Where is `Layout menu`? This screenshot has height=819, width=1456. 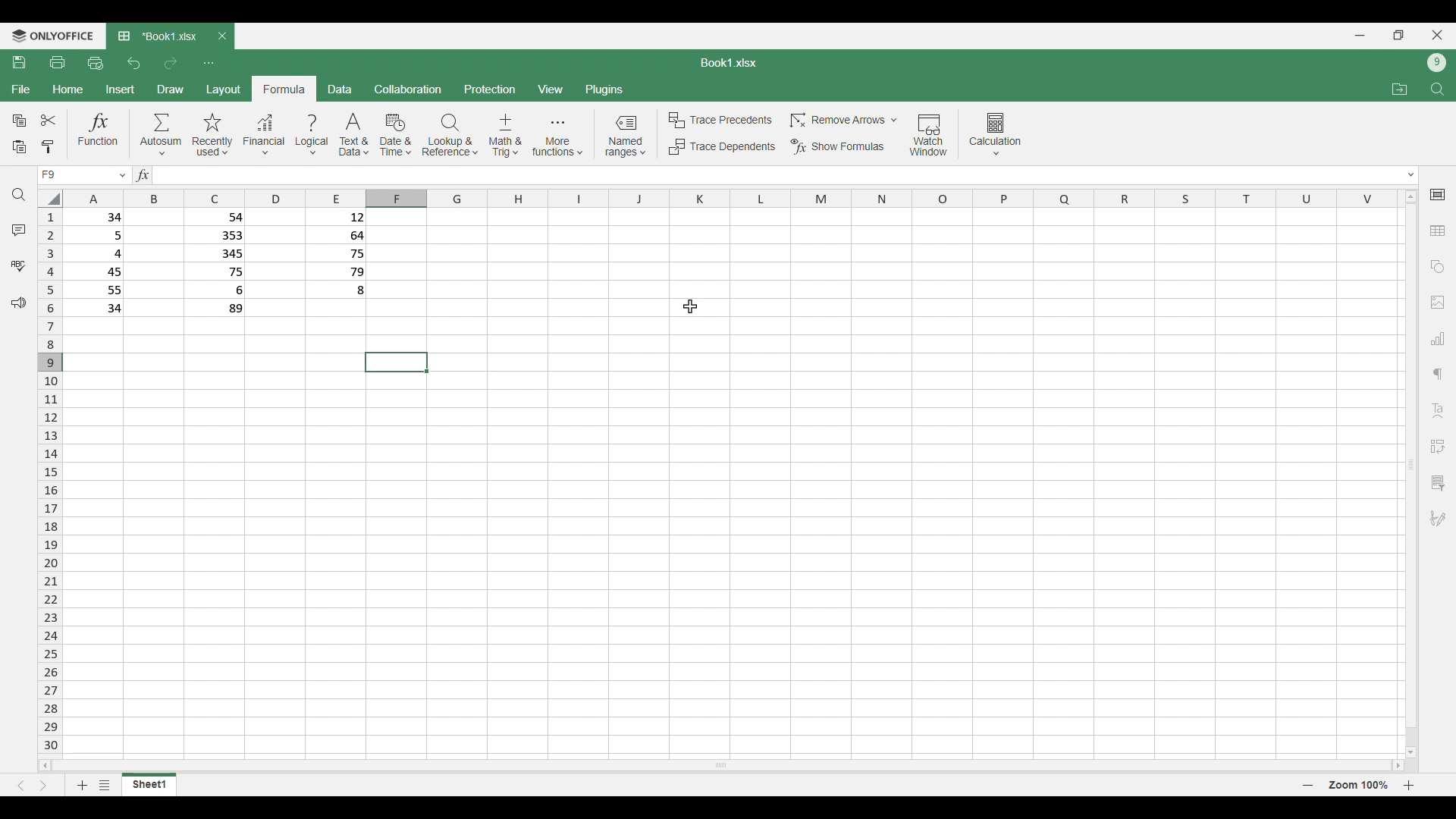 Layout menu is located at coordinates (224, 89).